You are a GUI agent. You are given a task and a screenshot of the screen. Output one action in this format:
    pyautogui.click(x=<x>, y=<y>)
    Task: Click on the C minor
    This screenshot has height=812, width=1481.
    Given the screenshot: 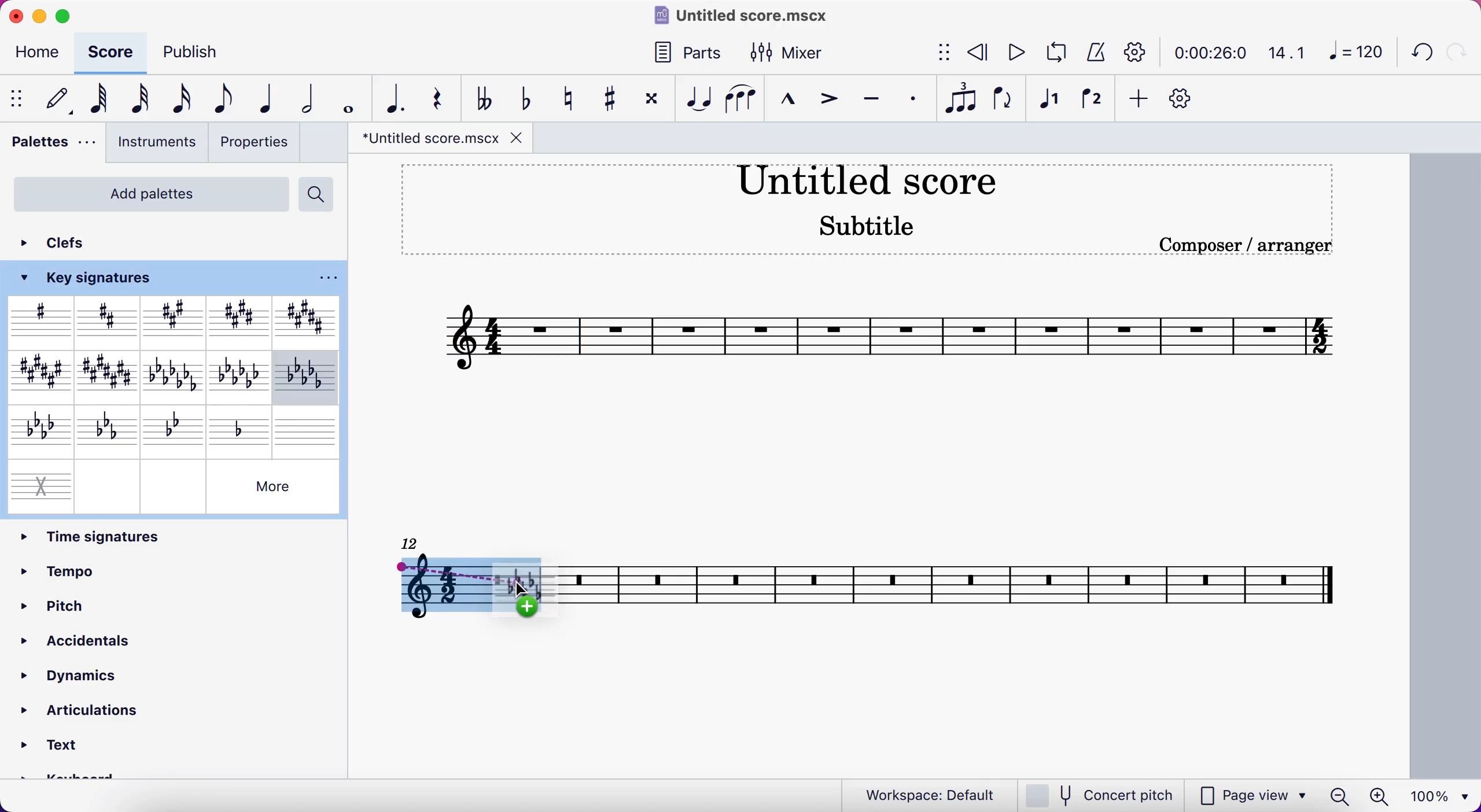 What is the action you would take?
    pyautogui.click(x=107, y=430)
    